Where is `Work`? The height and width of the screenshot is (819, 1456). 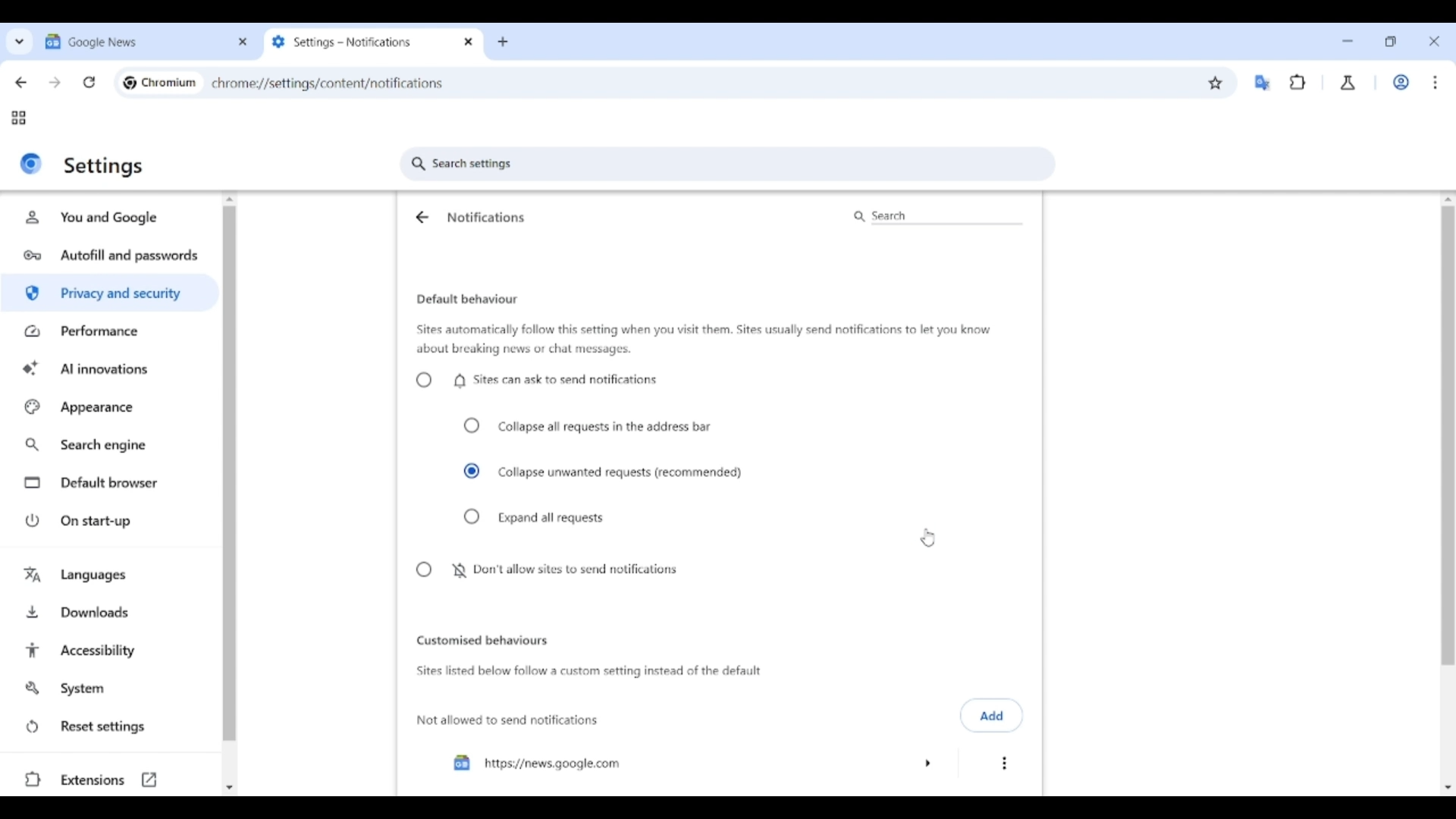 Work is located at coordinates (1401, 82).